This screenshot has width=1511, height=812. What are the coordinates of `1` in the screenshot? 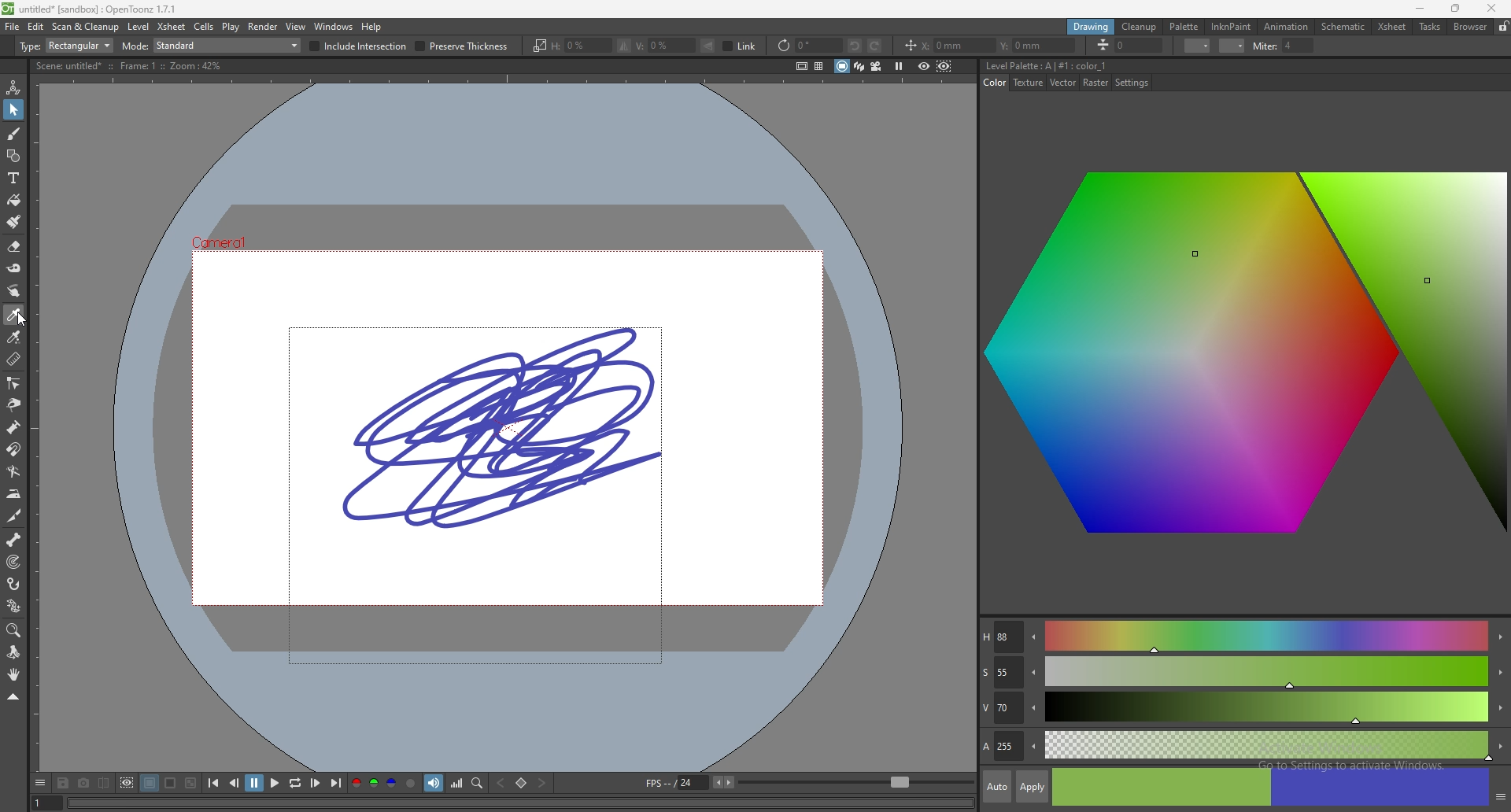 It's located at (45, 802).